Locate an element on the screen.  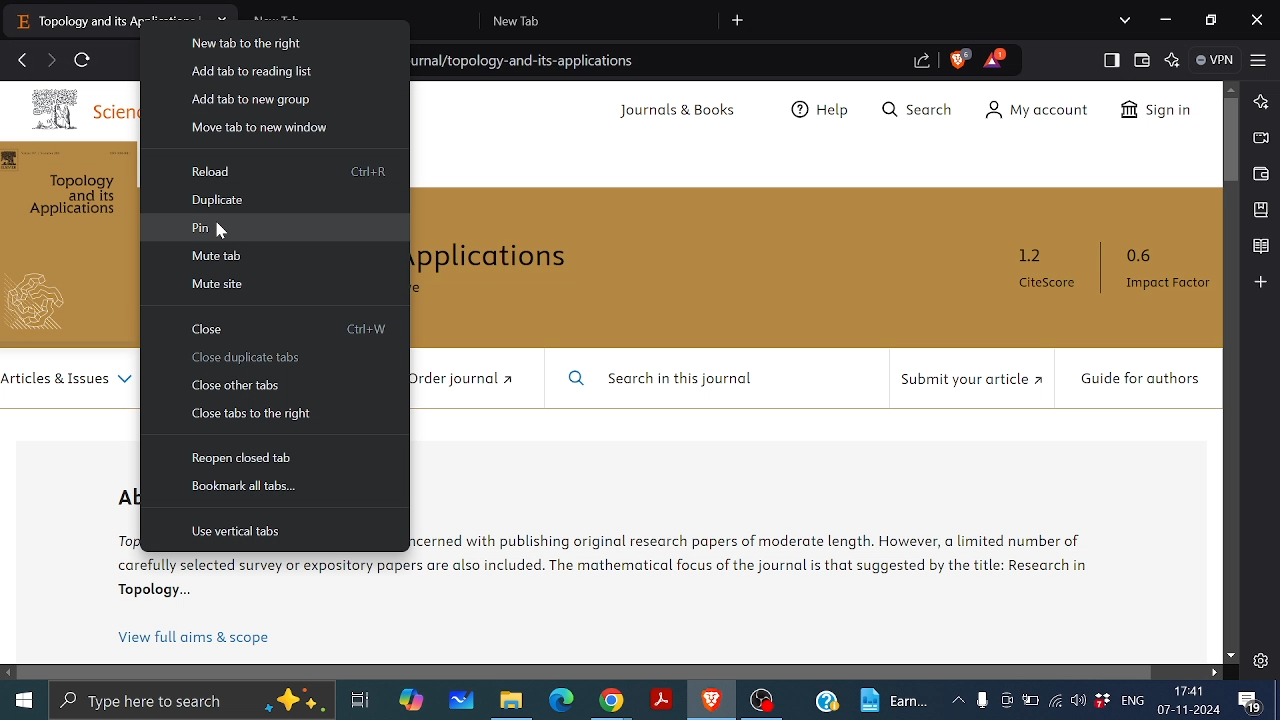
Brave shield is located at coordinates (960, 59).